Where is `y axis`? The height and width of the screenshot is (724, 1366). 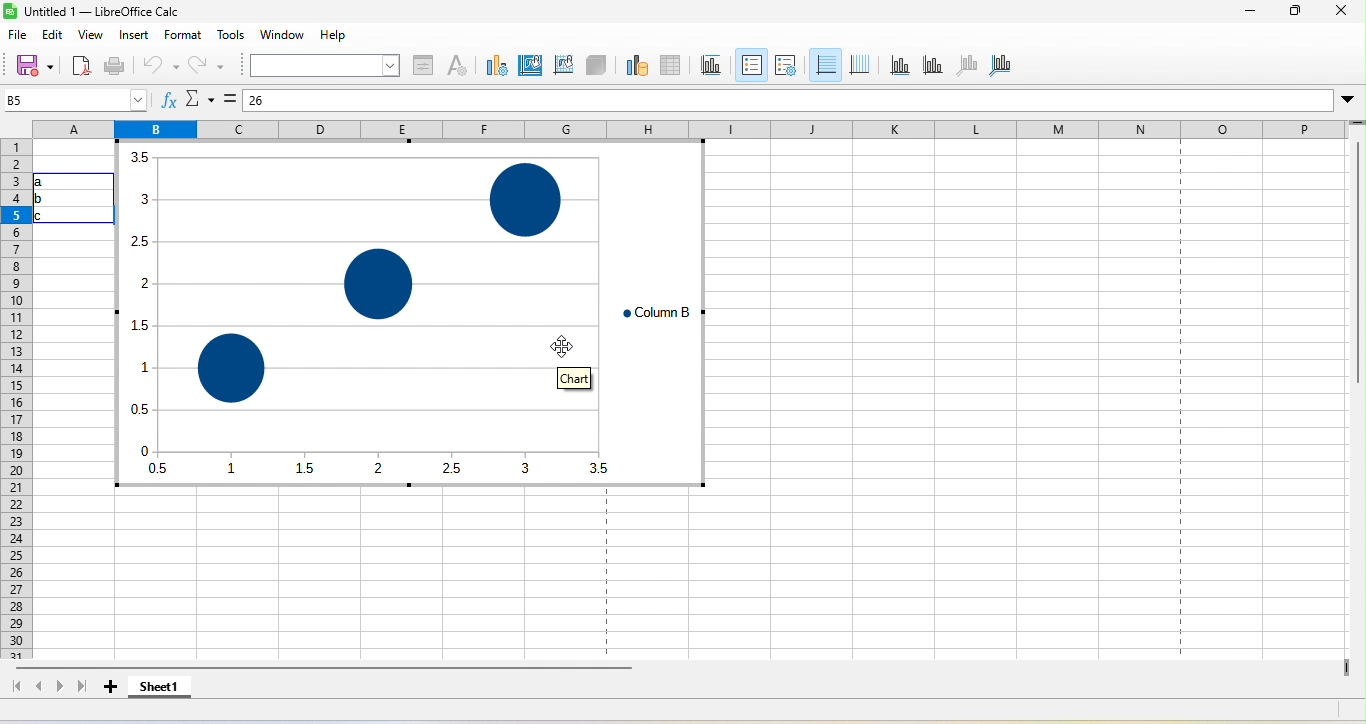
y axis is located at coordinates (927, 66).